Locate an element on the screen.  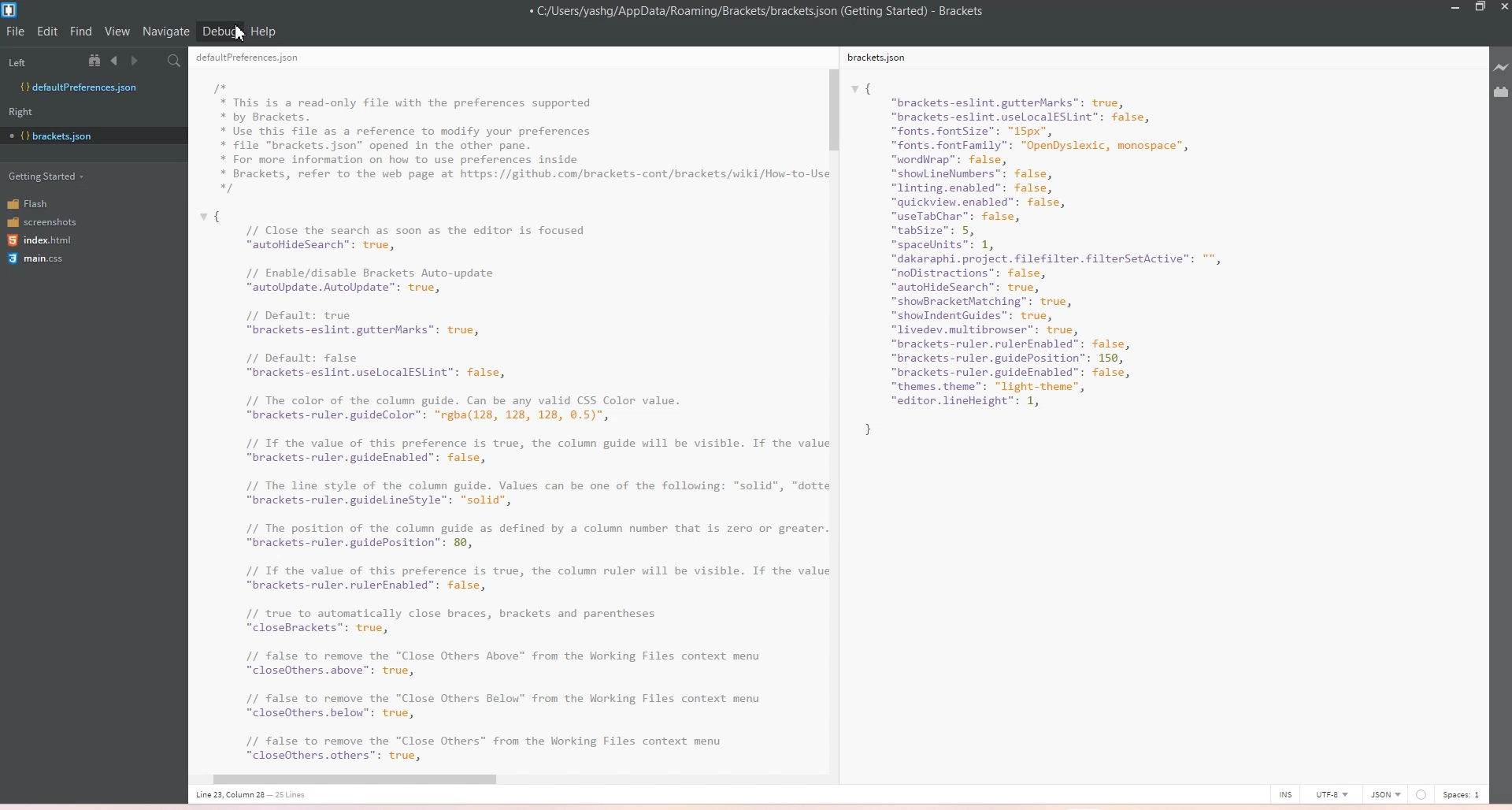
Show in file tree is located at coordinates (98, 60).